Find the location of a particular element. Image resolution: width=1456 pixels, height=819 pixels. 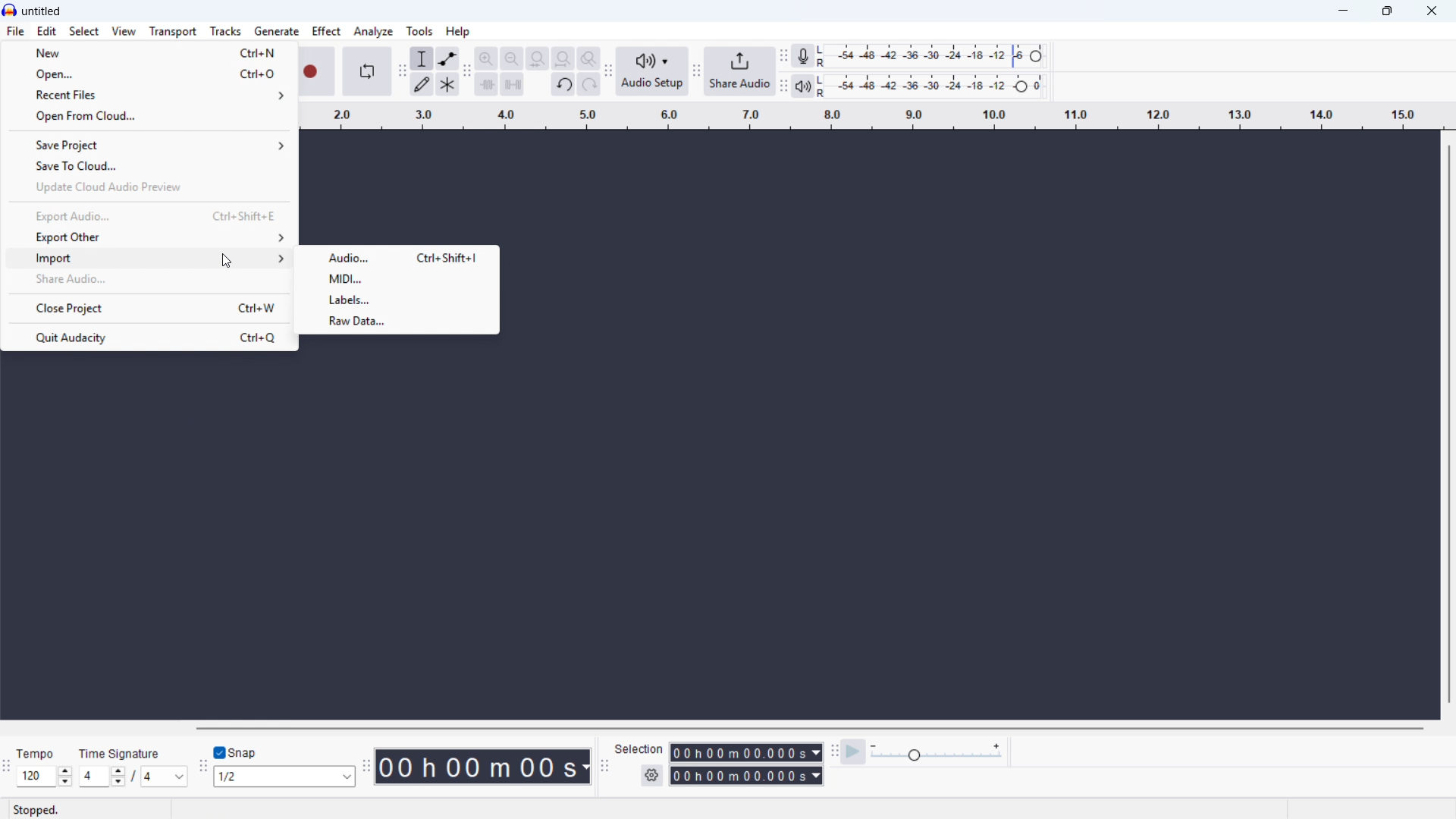

Update Cloud Audio preview  is located at coordinates (148, 188).